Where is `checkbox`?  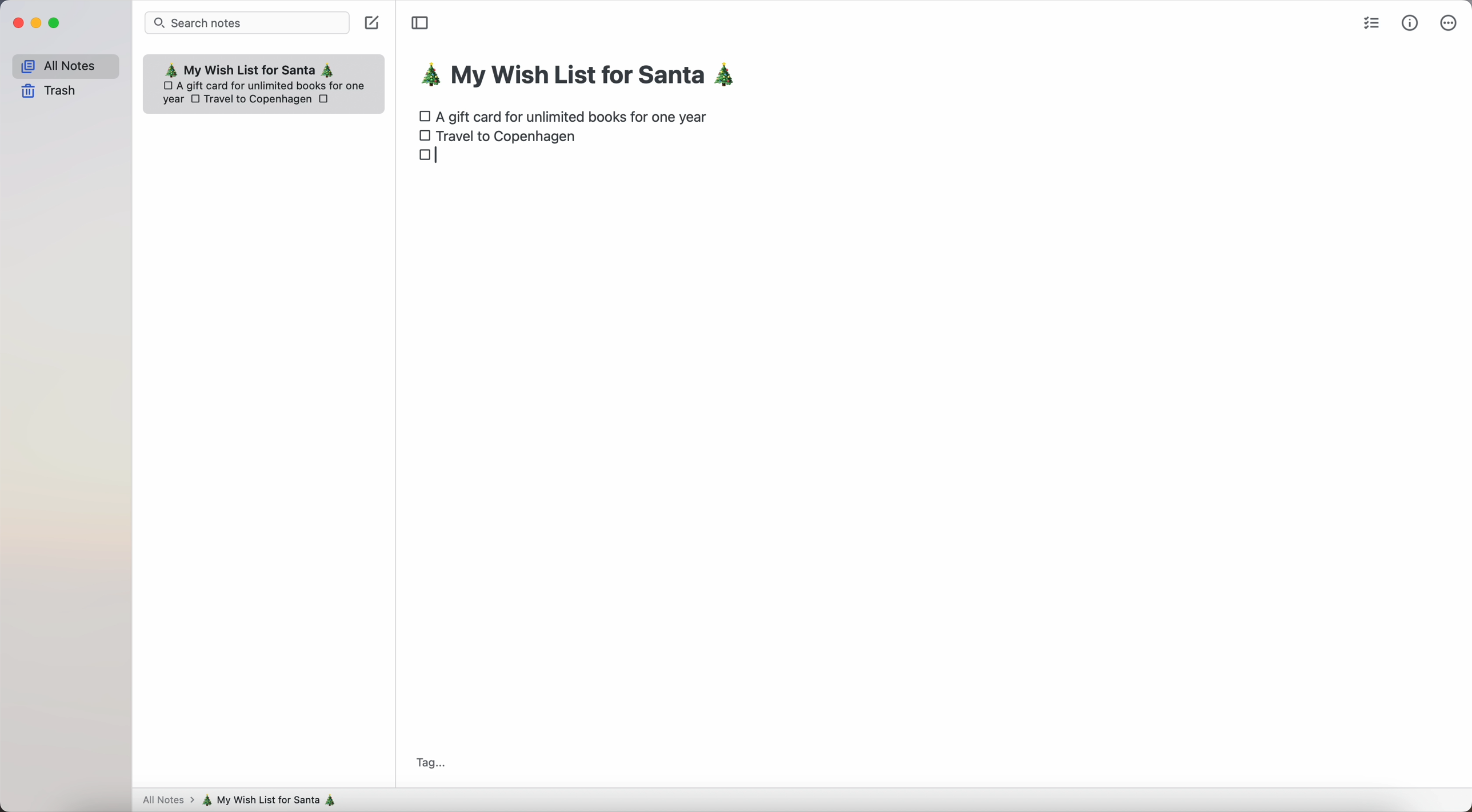 checkbox is located at coordinates (424, 114).